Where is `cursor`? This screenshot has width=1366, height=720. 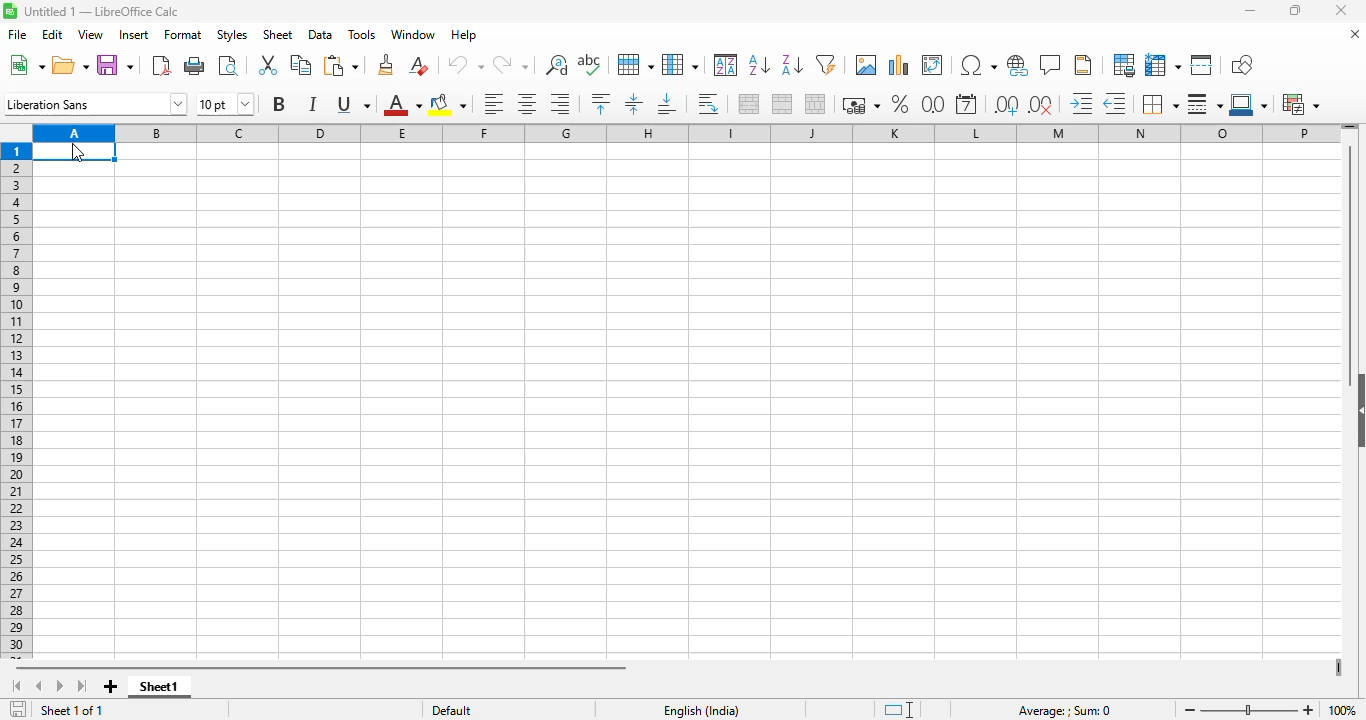
cursor is located at coordinates (77, 152).